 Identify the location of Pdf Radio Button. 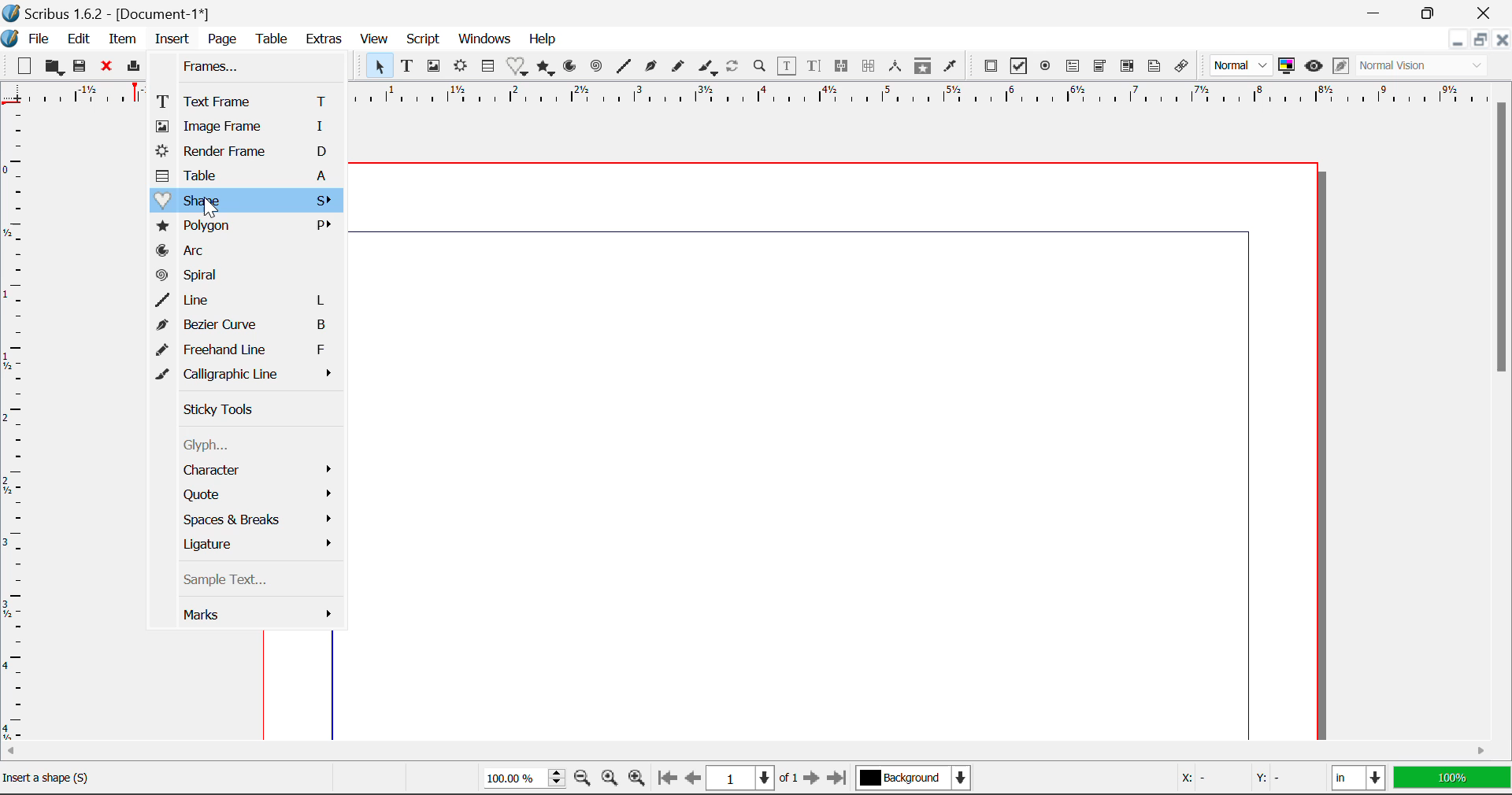
(1047, 68).